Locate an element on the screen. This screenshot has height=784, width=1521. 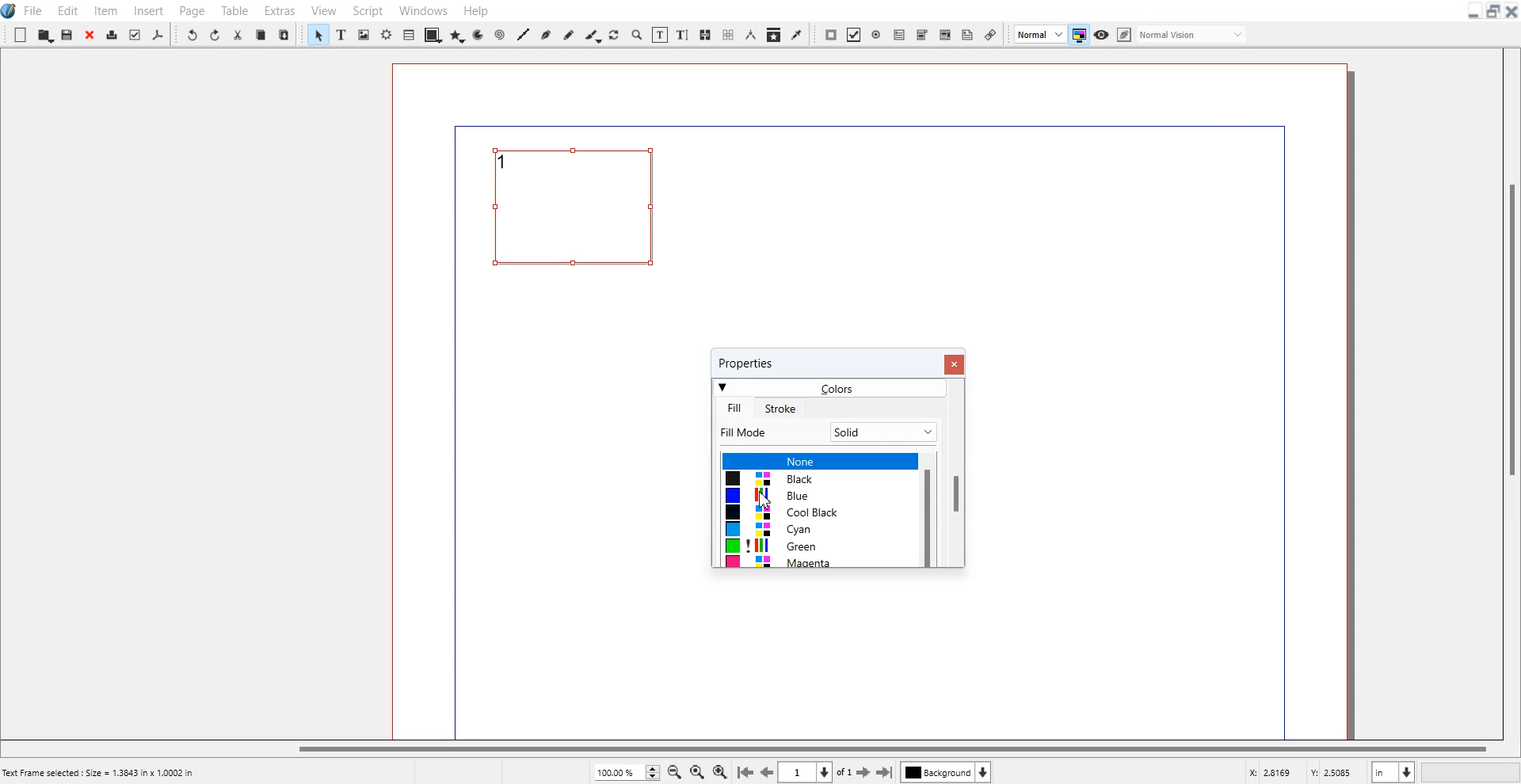
Vertical Scroll bar is located at coordinates (1510, 391).